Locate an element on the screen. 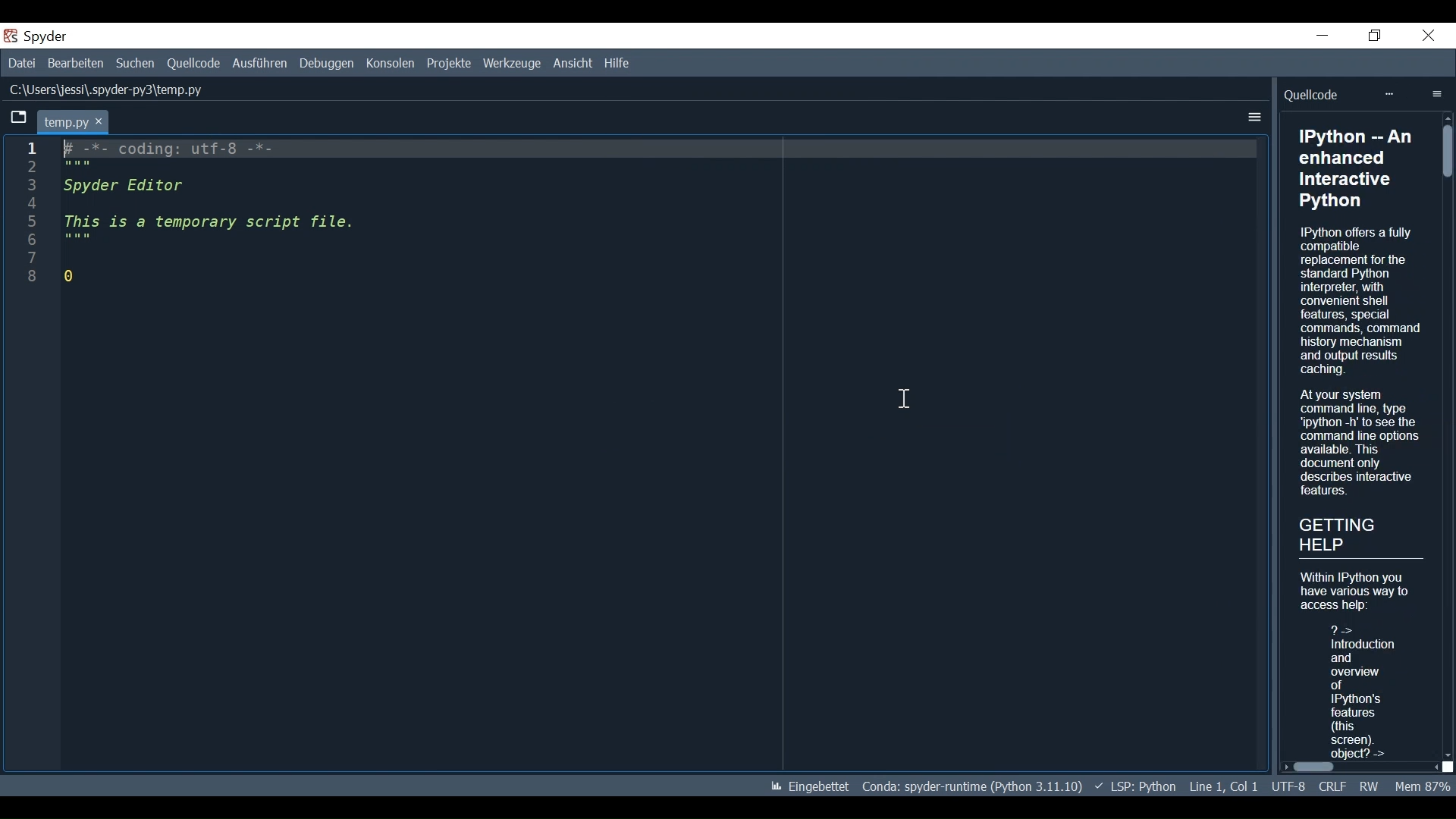 The height and width of the screenshot is (819, 1456). Eingebettet is located at coordinates (811, 787).